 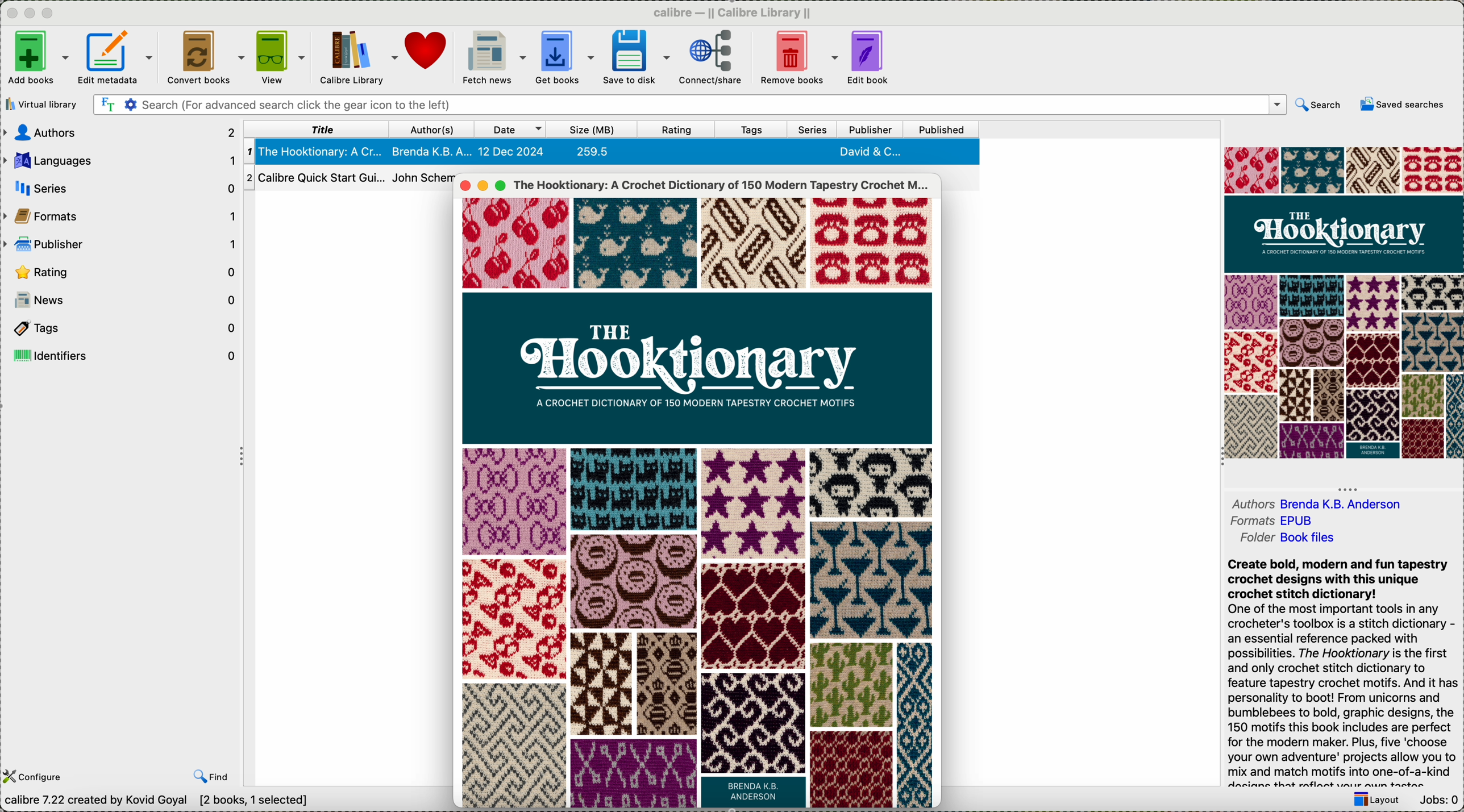 I want to click on languages, so click(x=119, y=160).